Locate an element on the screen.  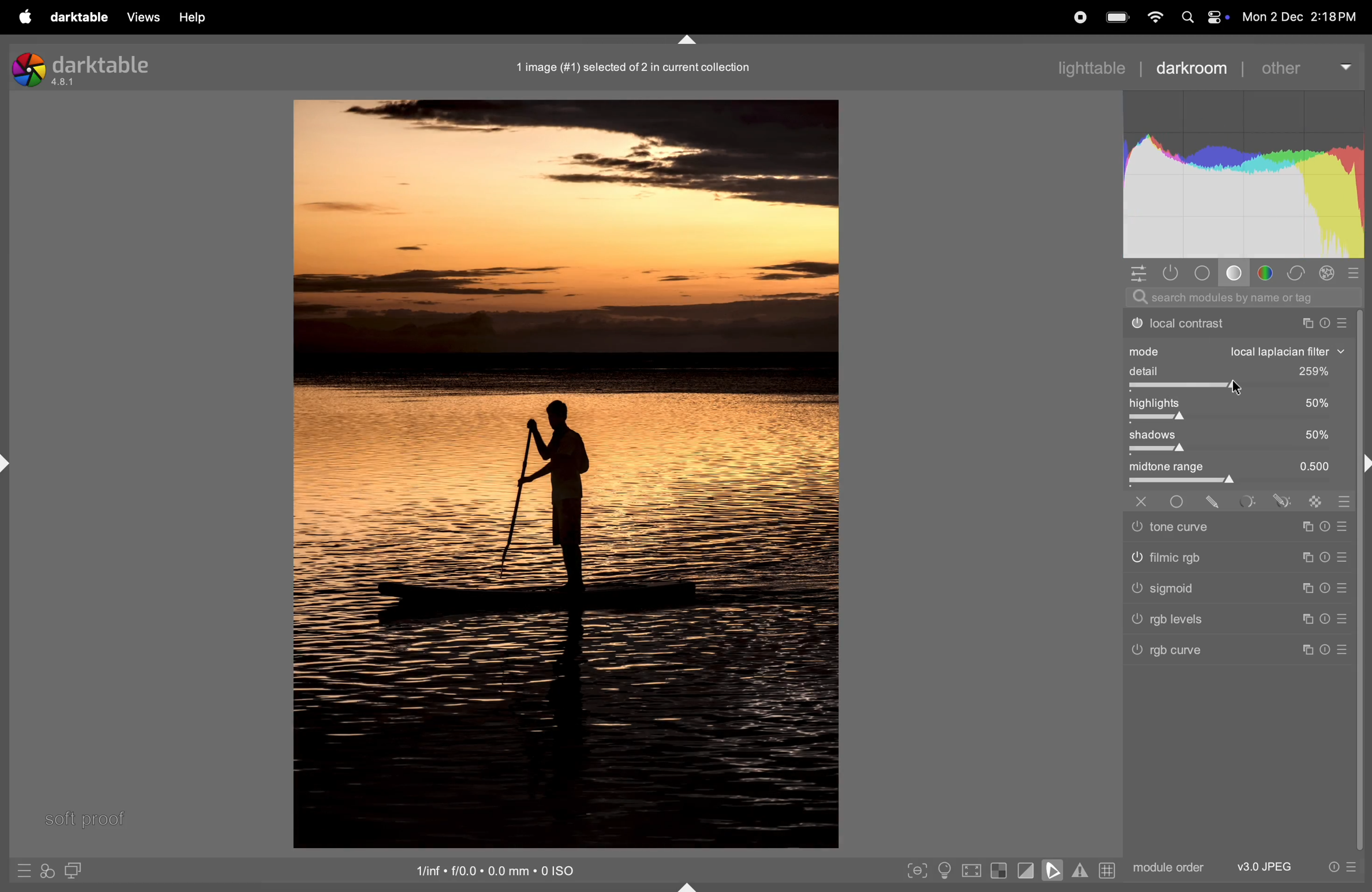
midtone range is located at coordinates (1239, 467).